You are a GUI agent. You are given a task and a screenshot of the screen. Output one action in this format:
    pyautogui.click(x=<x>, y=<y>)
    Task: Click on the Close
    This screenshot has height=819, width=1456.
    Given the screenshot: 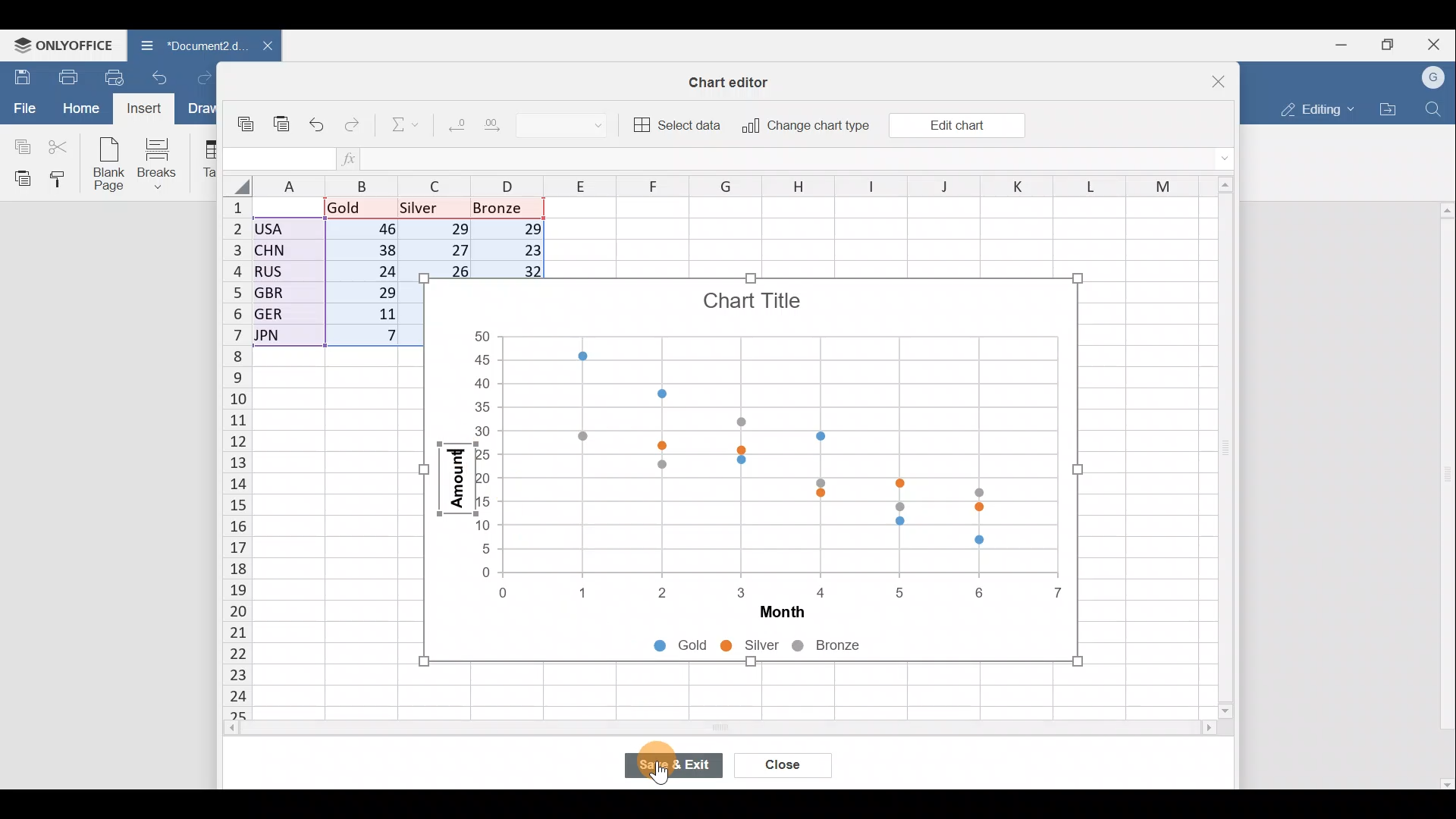 What is the action you would take?
    pyautogui.click(x=1436, y=42)
    